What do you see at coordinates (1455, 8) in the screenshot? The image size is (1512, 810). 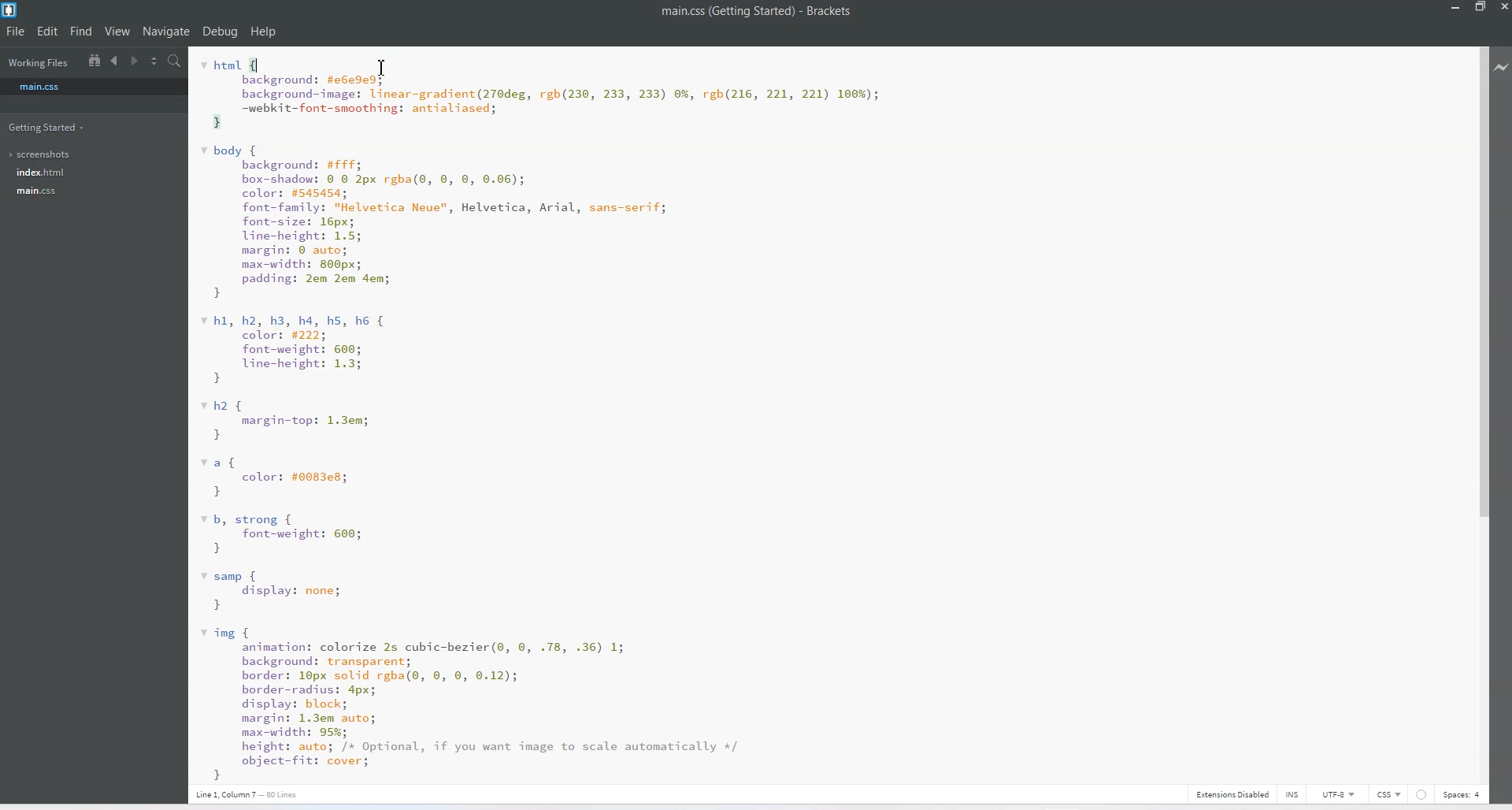 I see `Minimize` at bounding box center [1455, 8].